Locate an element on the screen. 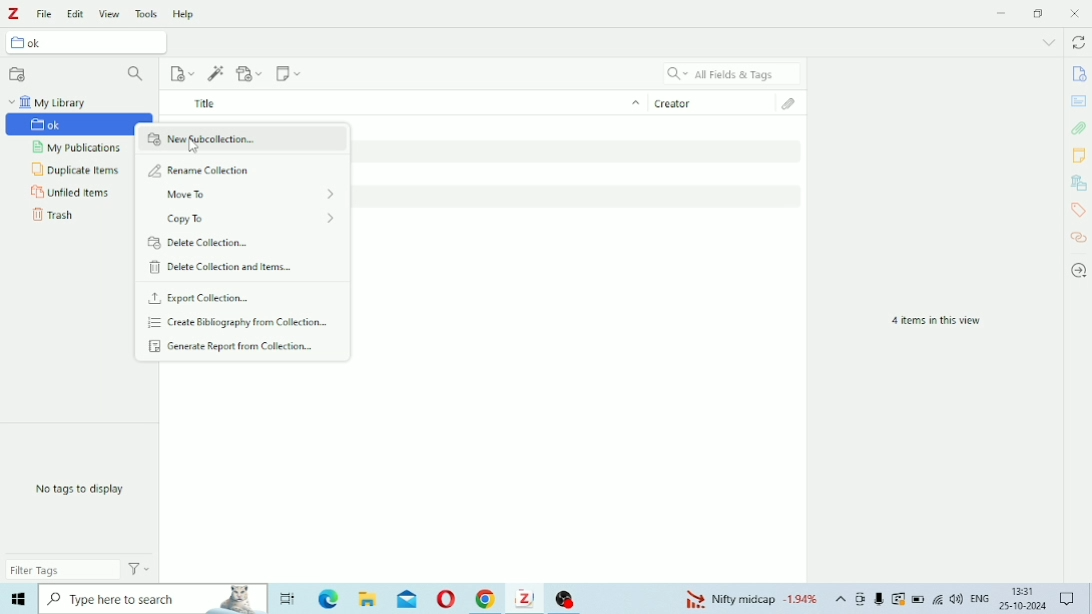 The image size is (1092, 614). Tags is located at coordinates (1078, 210).